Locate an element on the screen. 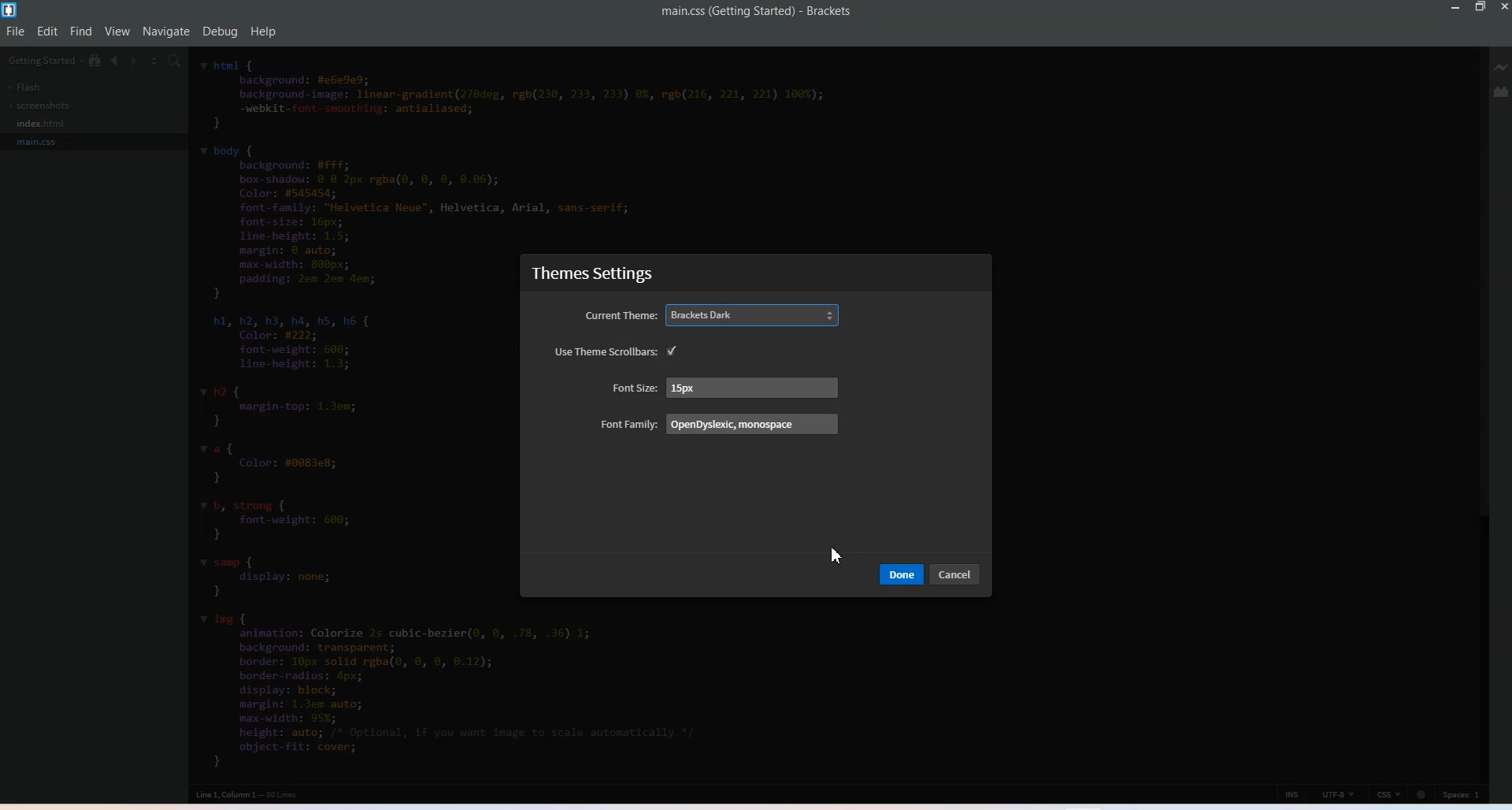  View is located at coordinates (117, 32).